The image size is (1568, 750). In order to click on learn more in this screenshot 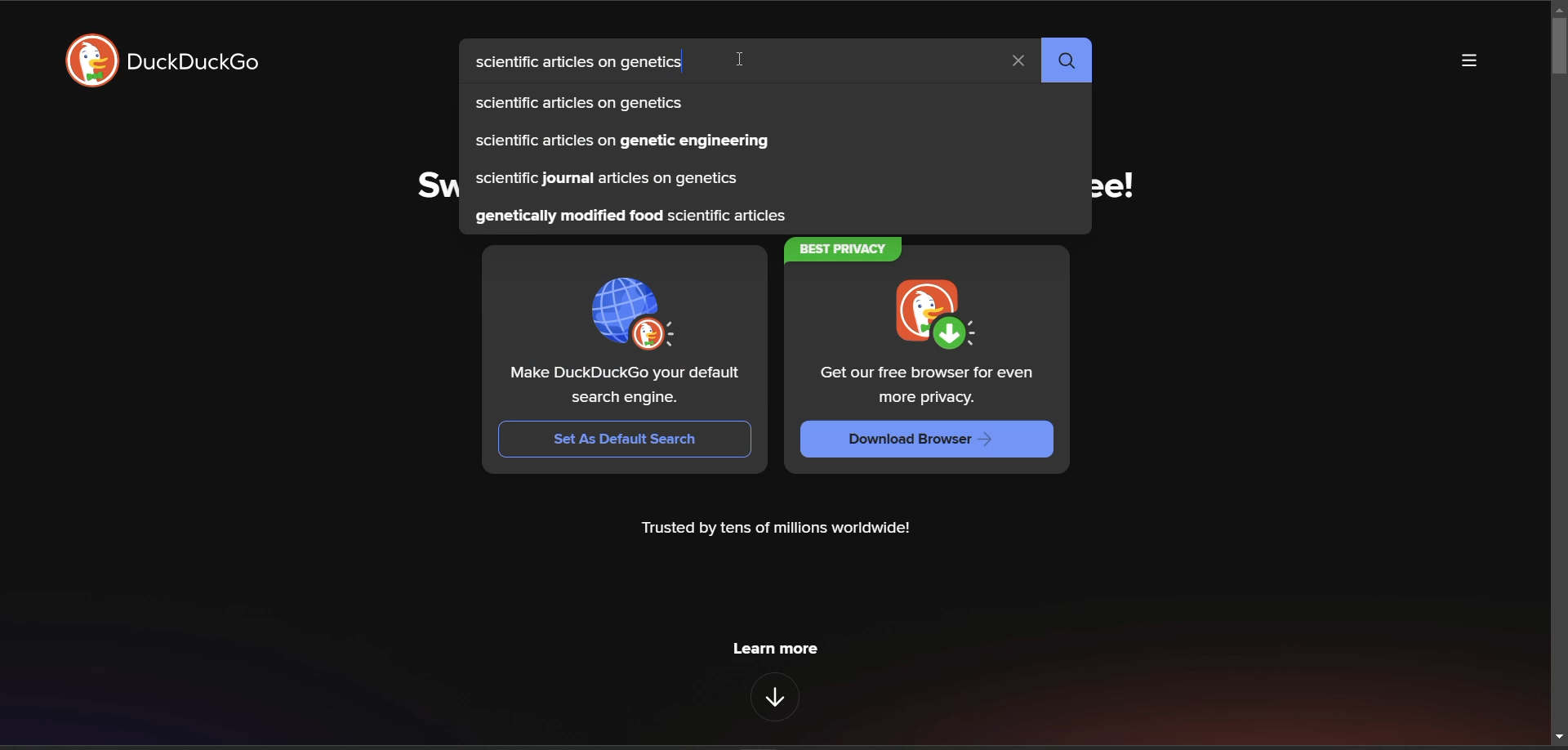, I will do `click(777, 647)`.